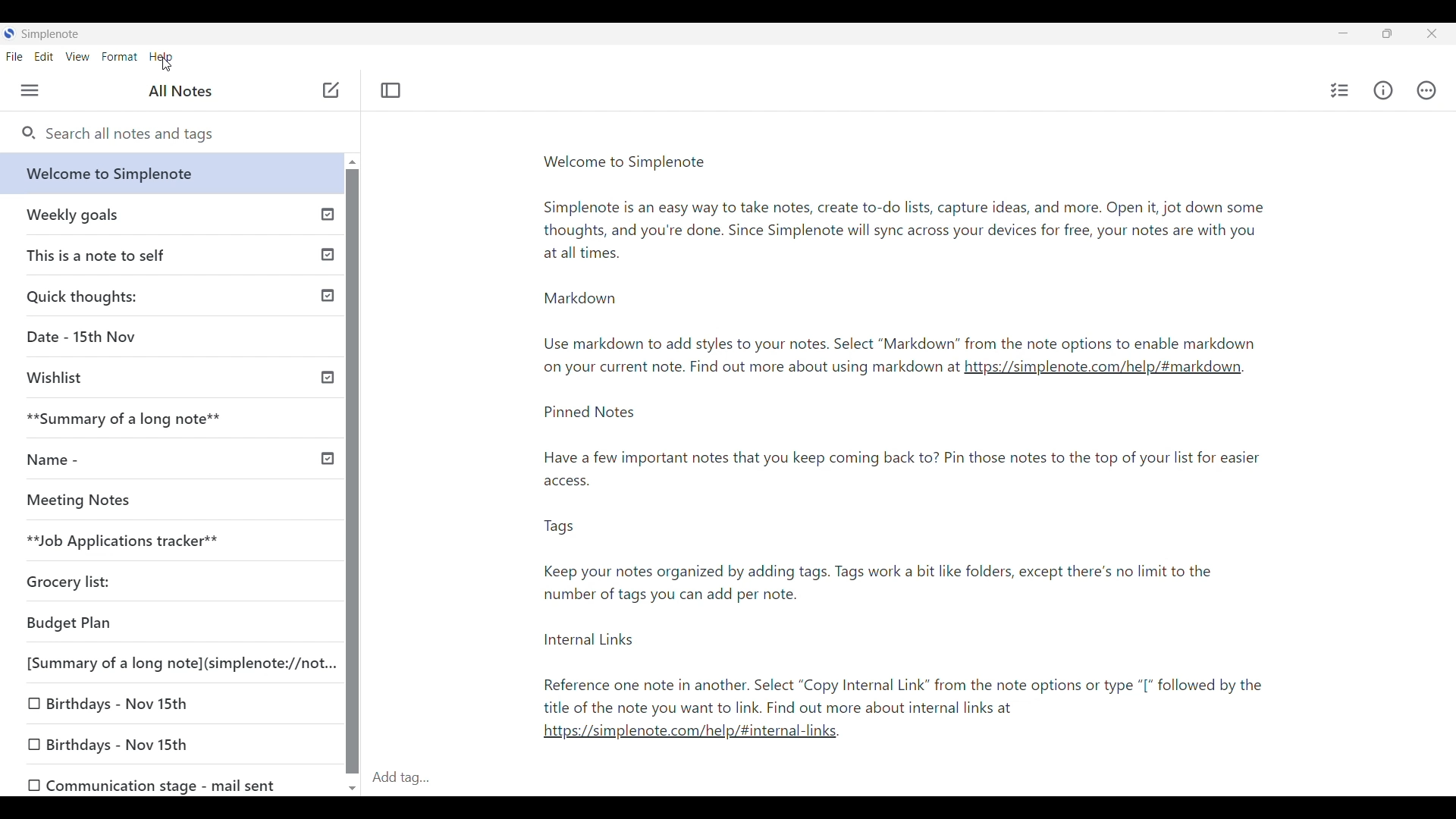 Image resolution: width=1456 pixels, height=819 pixels. I want to click on Show interface in a smaller tab, so click(1387, 33).